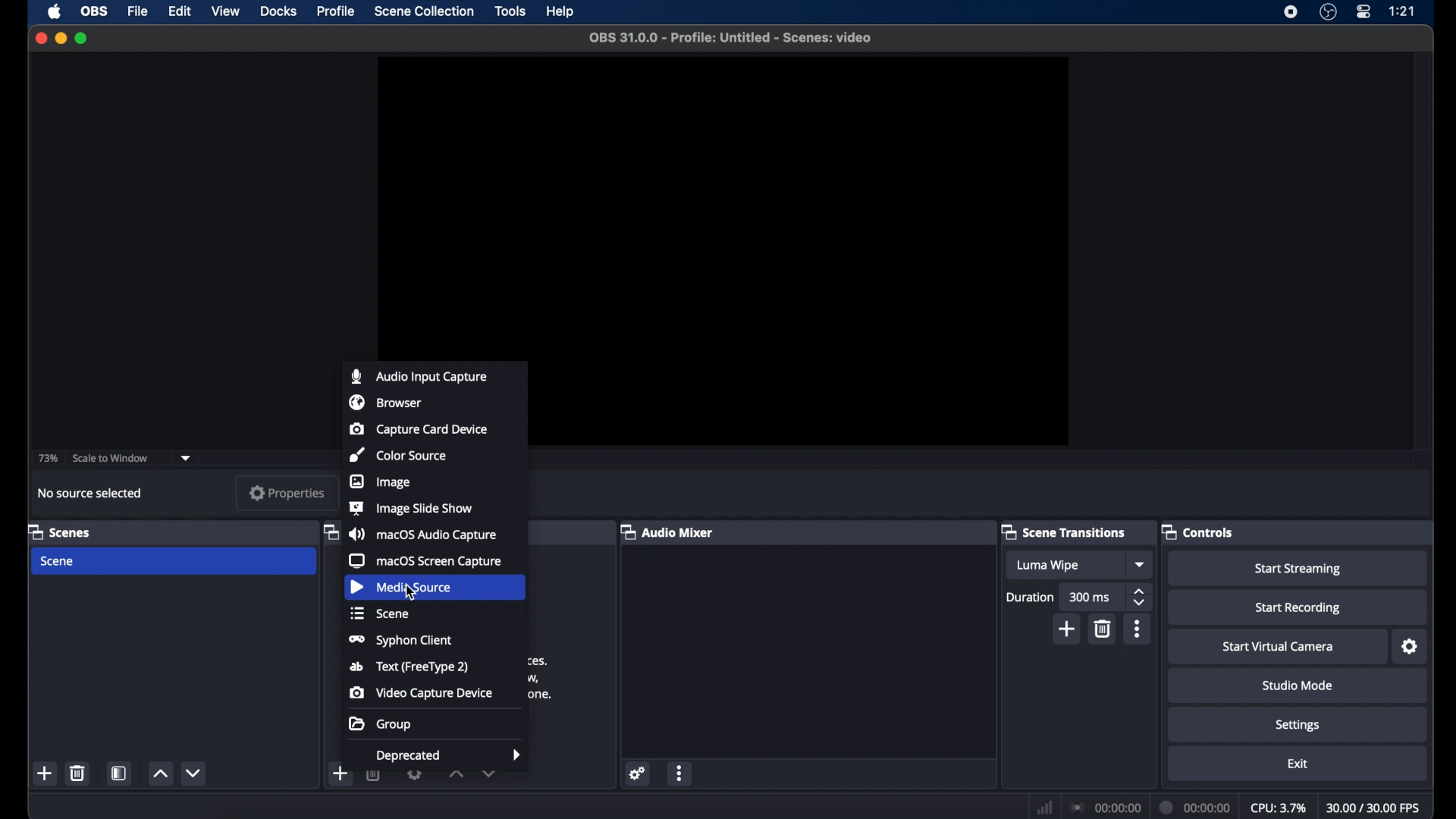 The image size is (1456, 819). I want to click on sources, so click(328, 532).